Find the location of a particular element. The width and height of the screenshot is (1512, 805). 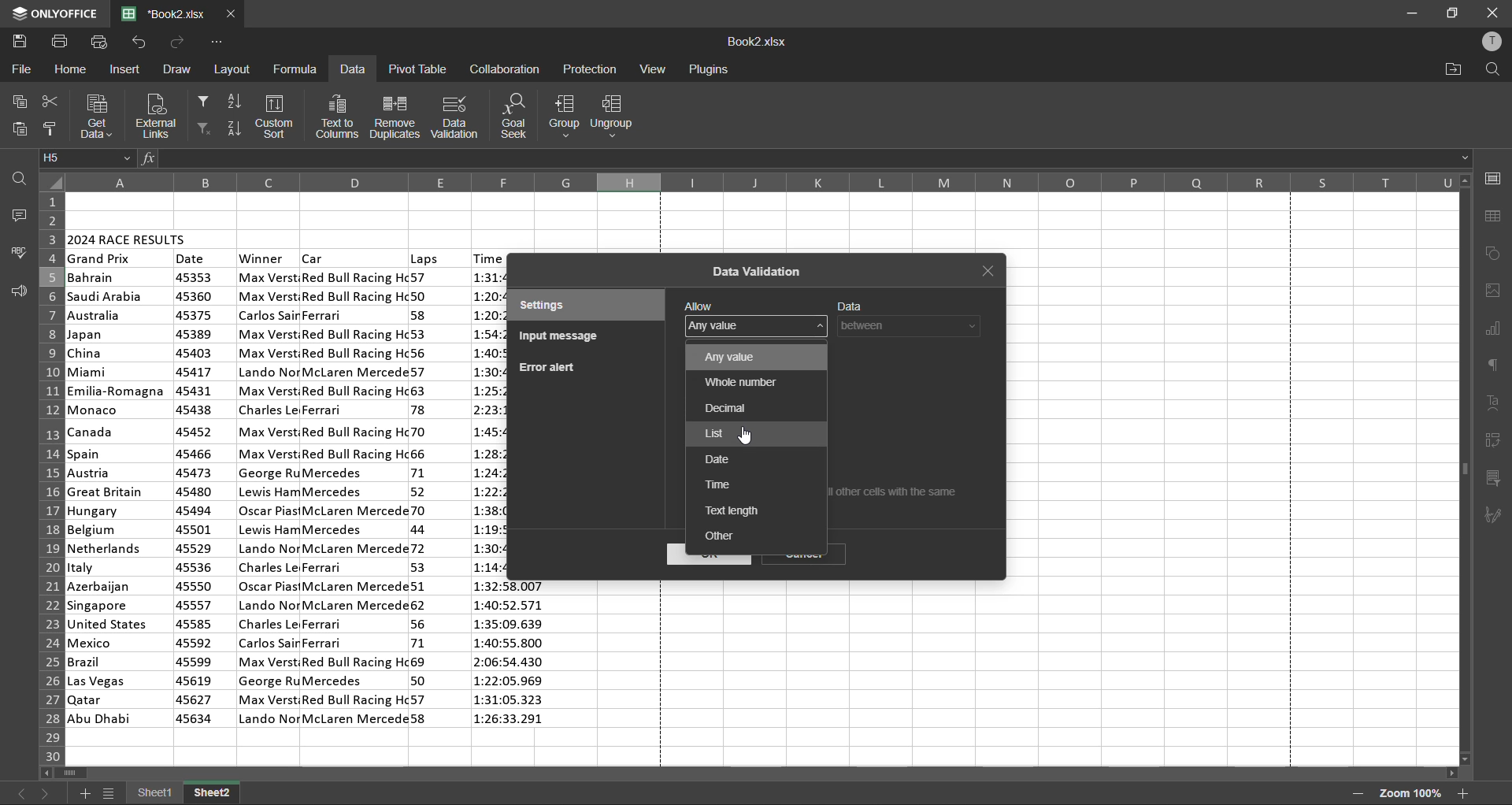

next is located at coordinates (46, 791).